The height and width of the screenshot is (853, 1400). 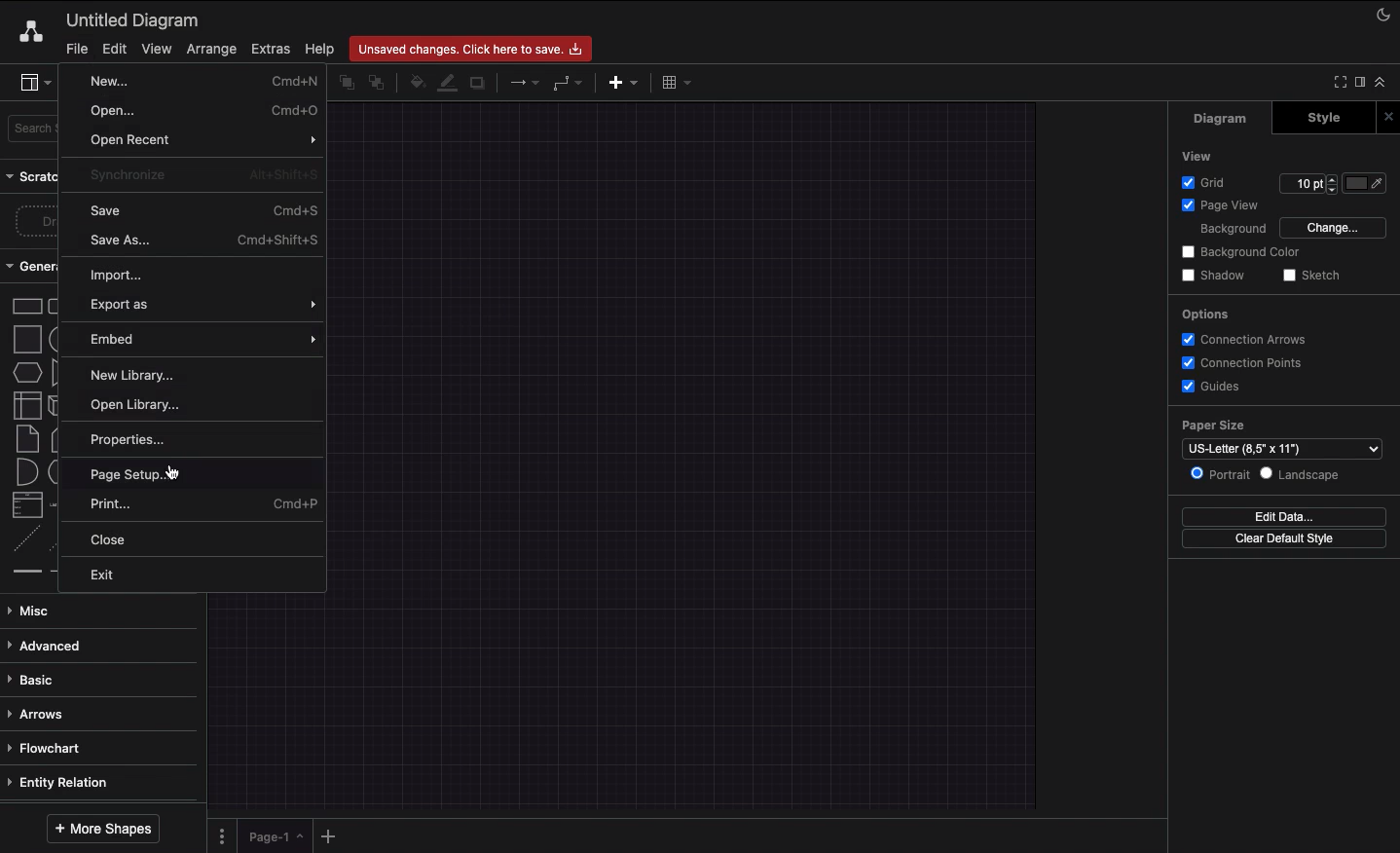 What do you see at coordinates (1385, 87) in the screenshot?
I see `Collapse expand` at bounding box center [1385, 87].